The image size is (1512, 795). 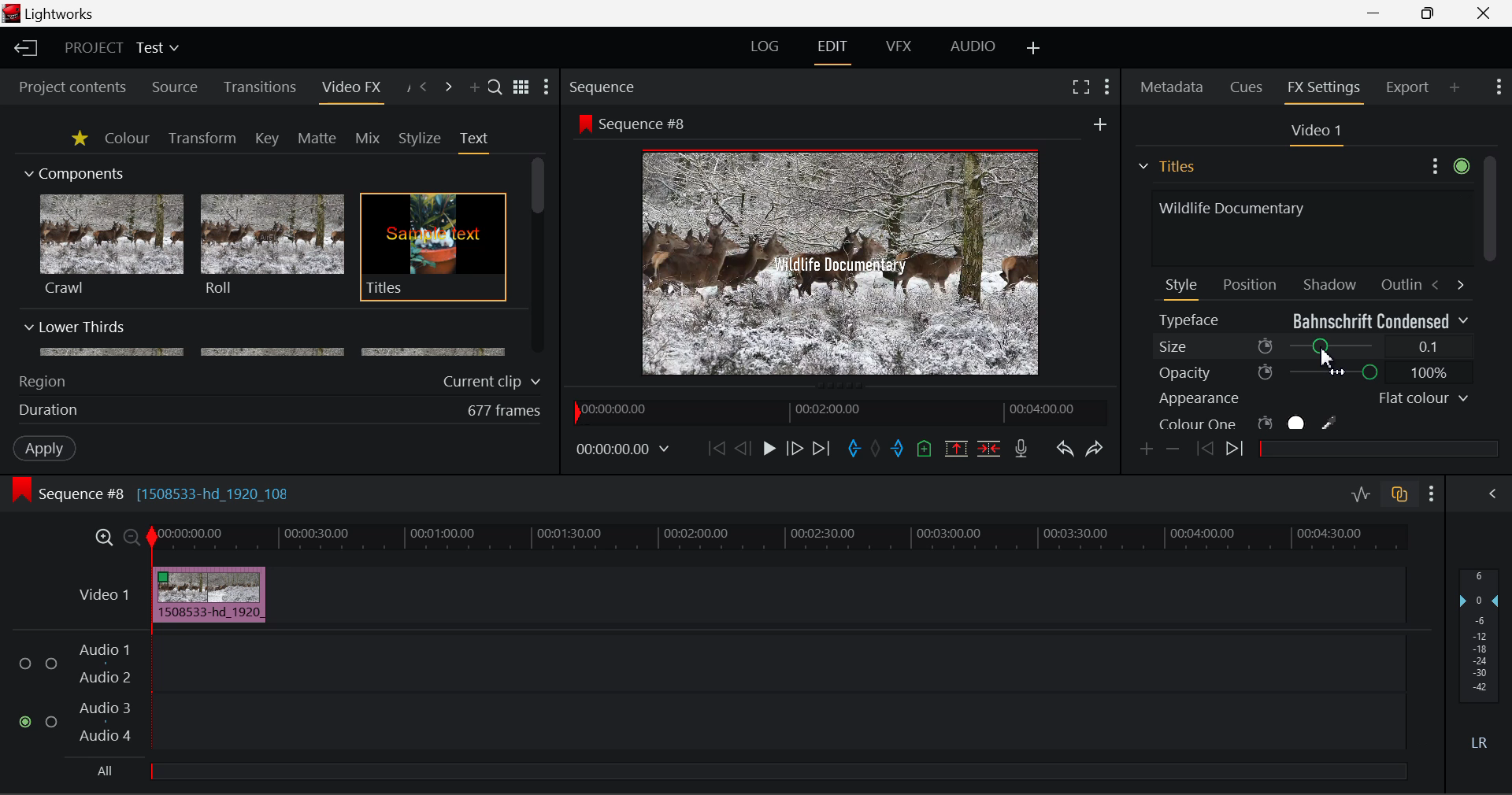 What do you see at coordinates (266, 338) in the screenshot?
I see `Lower Thirds` at bounding box center [266, 338].